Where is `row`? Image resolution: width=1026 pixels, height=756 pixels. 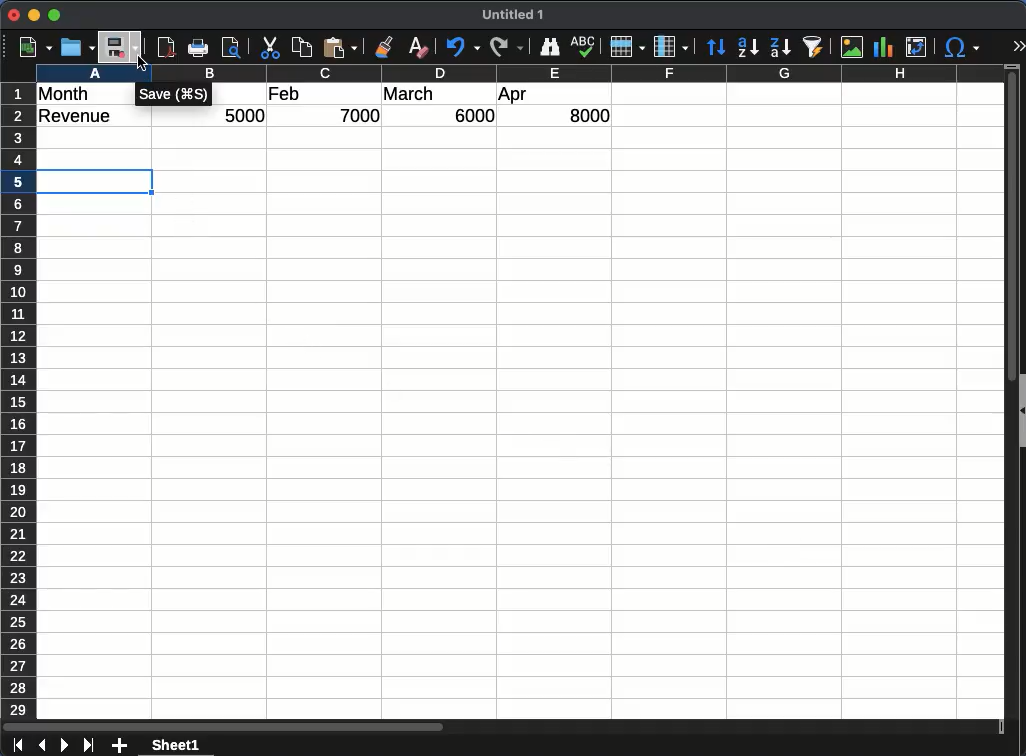
row is located at coordinates (18, 400).